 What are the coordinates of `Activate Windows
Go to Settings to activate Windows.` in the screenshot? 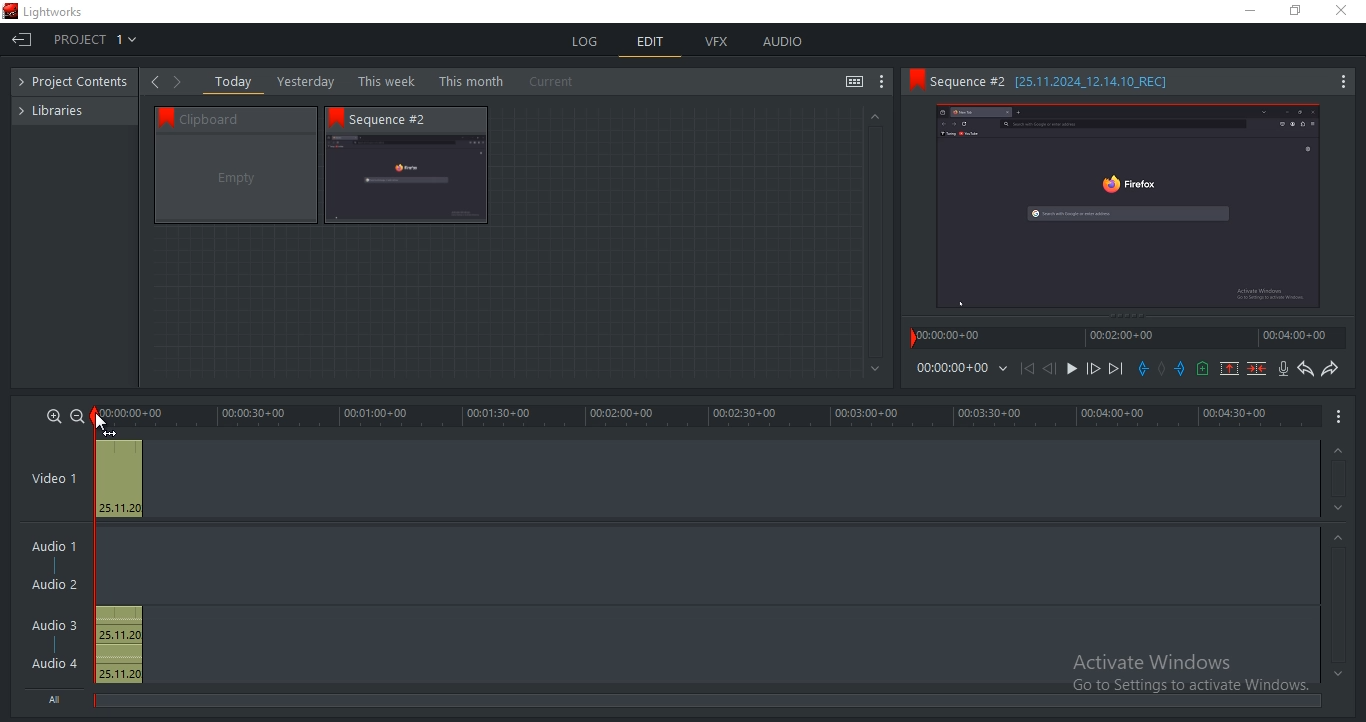 It's located at (1190, 675).